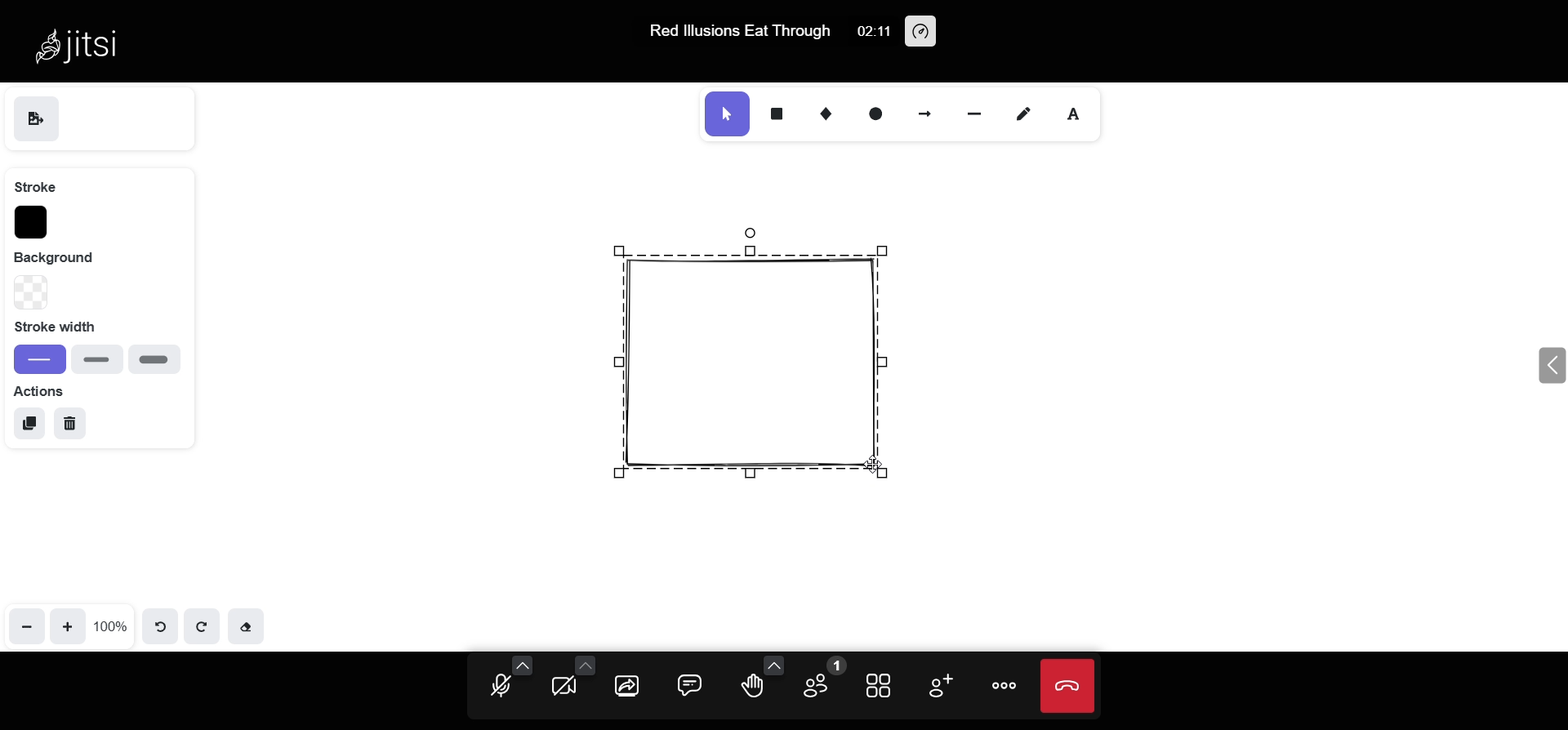 This screenshot has width=1568, height=730. What do you see at coordinates (203, 625) in the screenshot?
I see `redo` at bounding box center [203, 625].